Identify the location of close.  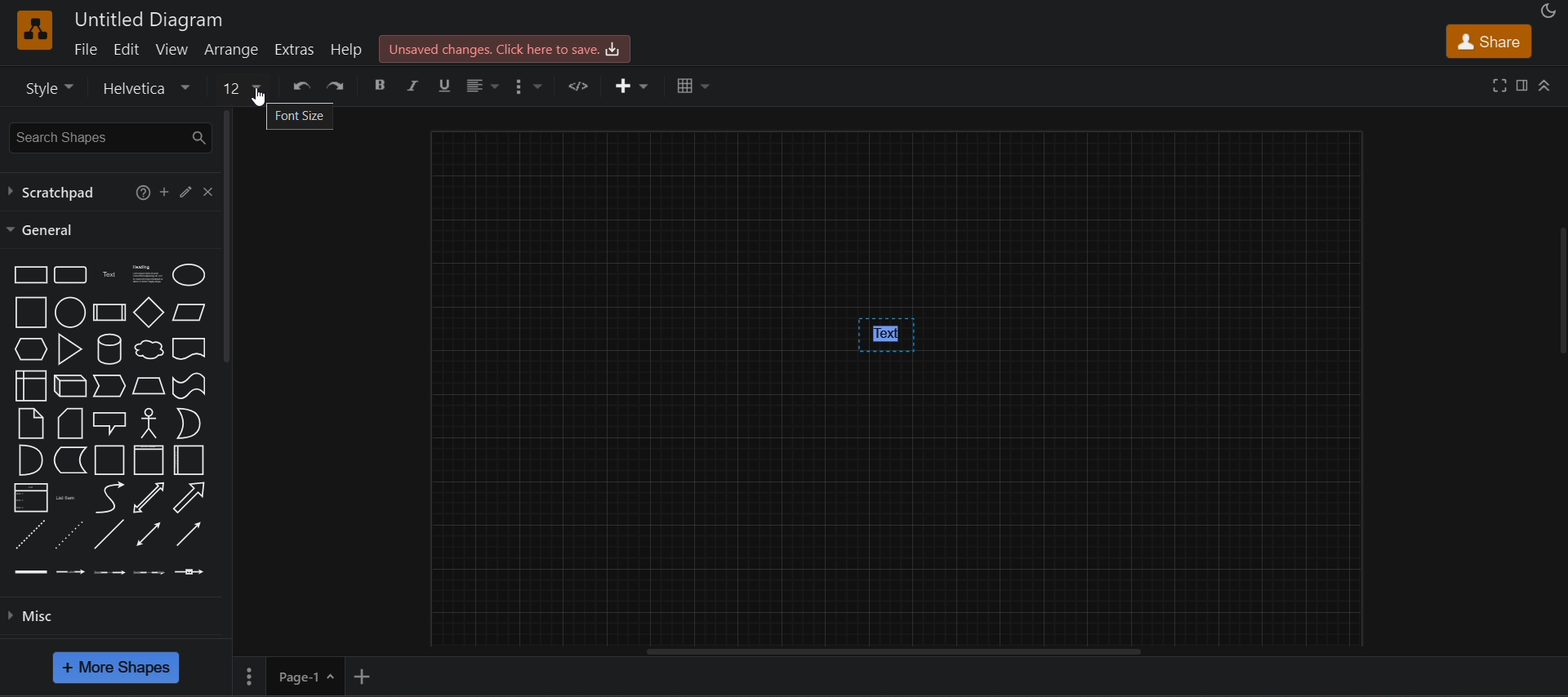
(209, 192).